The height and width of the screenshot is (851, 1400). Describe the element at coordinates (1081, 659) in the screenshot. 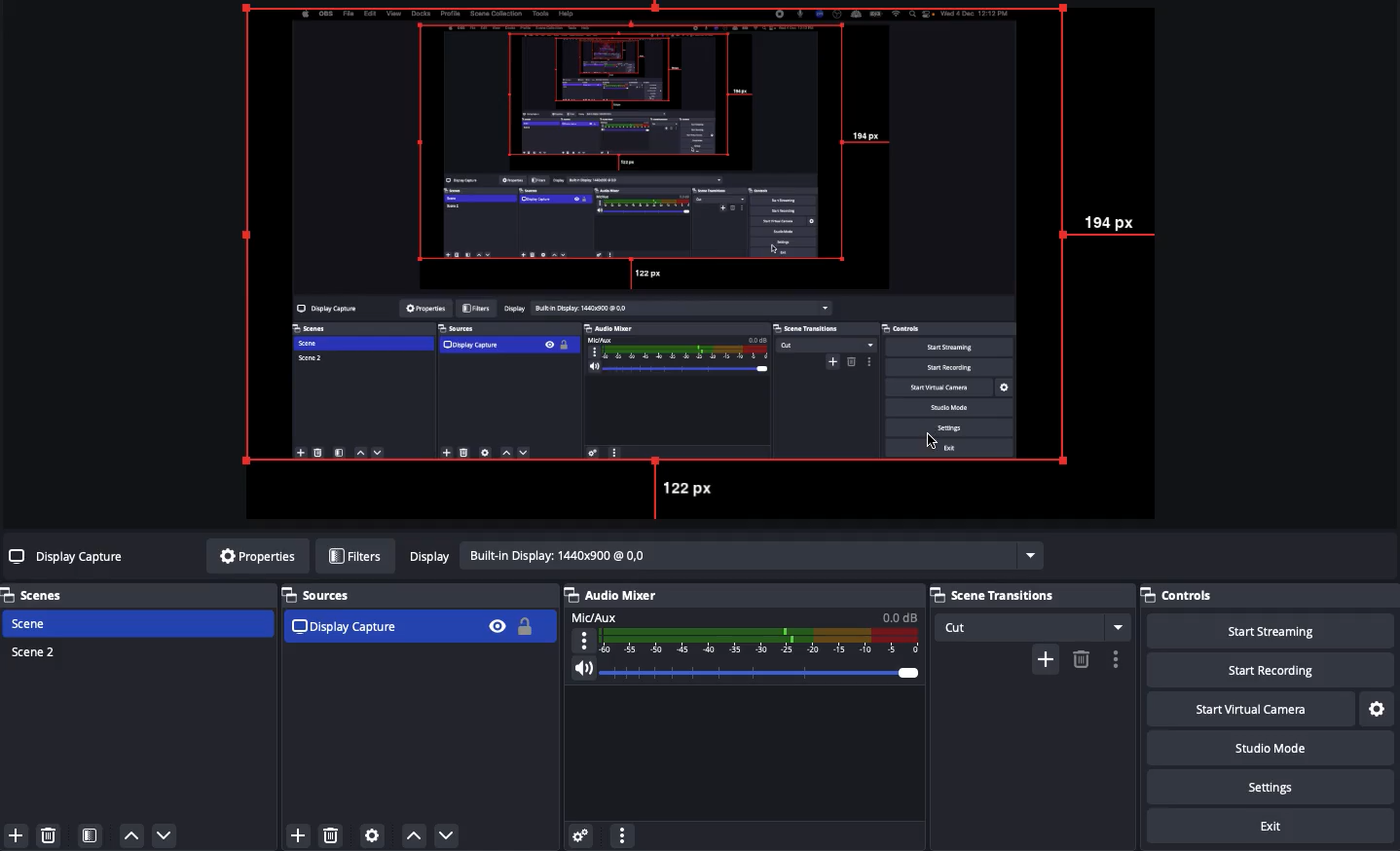

I see `Delete` at that location.